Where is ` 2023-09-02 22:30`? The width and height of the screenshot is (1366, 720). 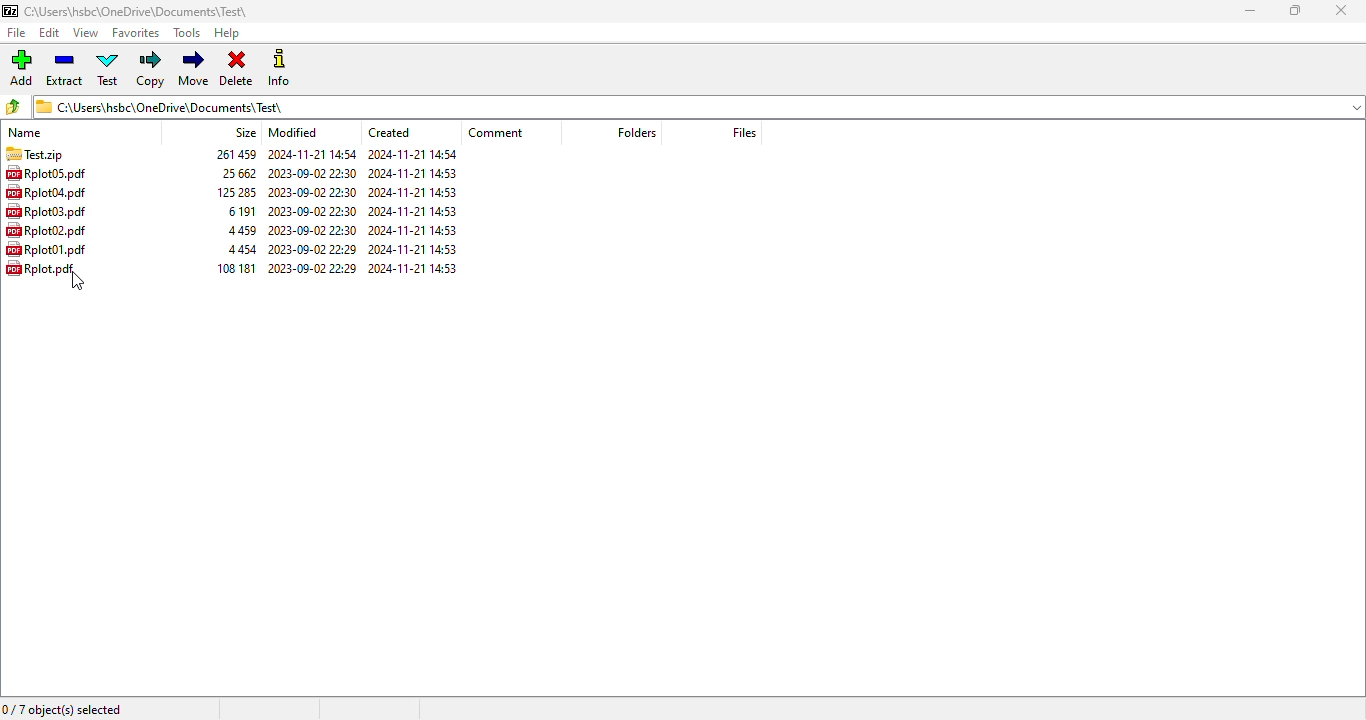  2023-09-02 22:30 is located at coordinates (313, 210).